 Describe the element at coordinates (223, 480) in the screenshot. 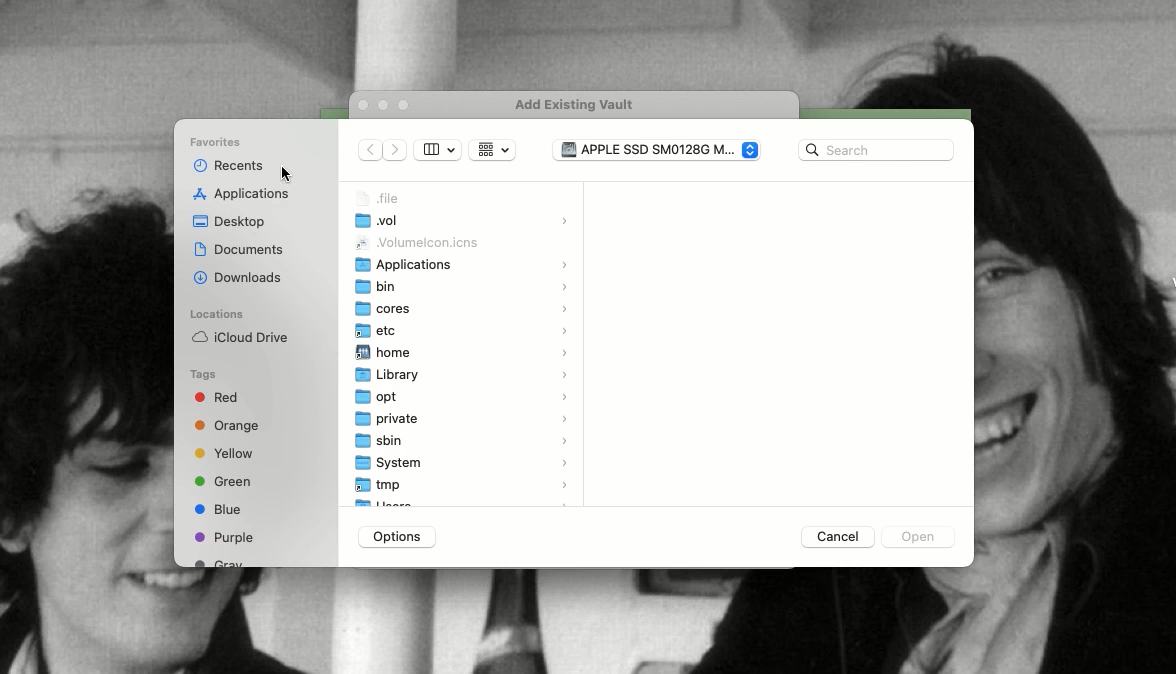

I see `Green` at that location.